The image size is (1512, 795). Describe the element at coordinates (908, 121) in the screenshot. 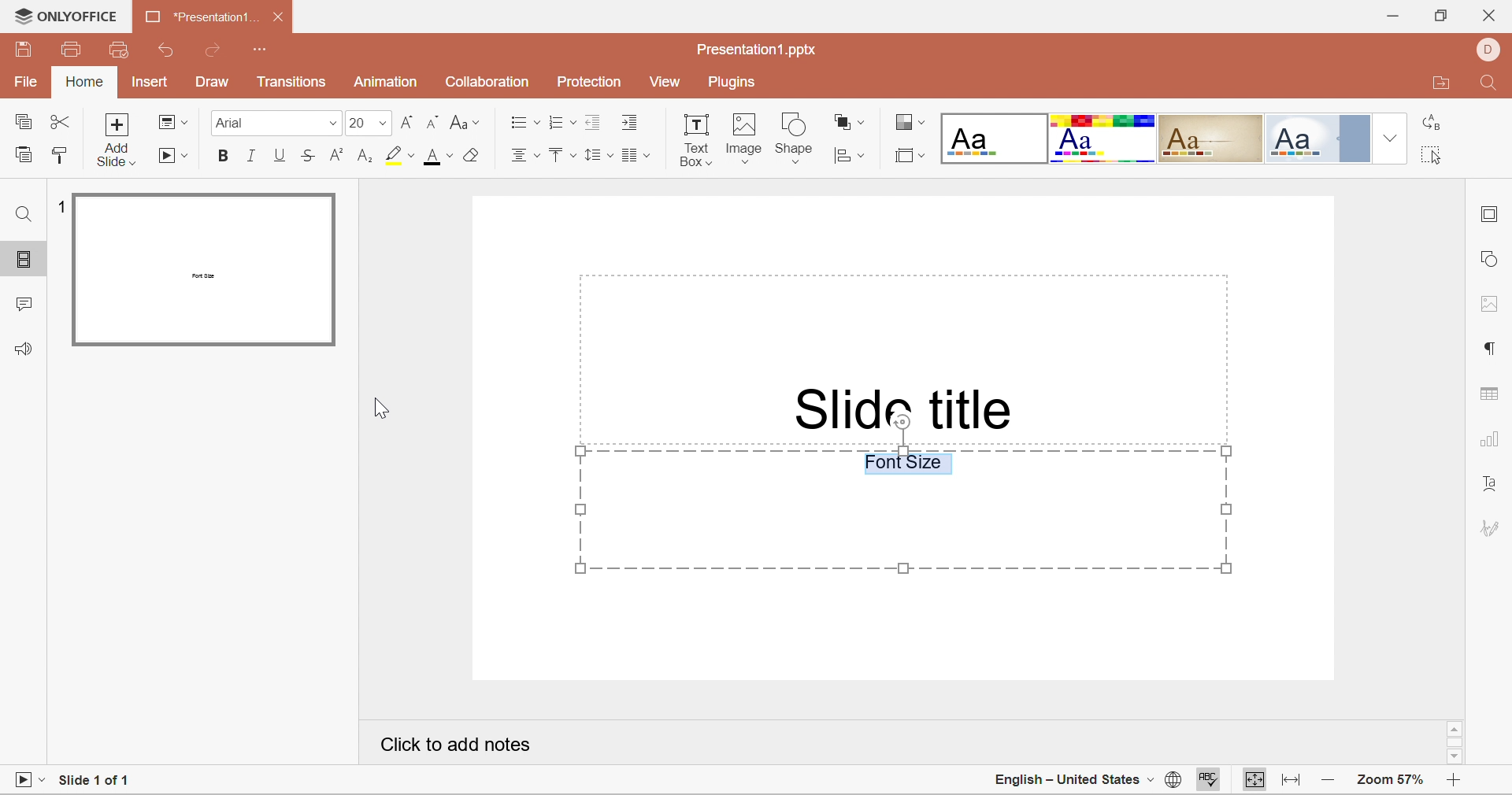

I see `Change color theme` at that location.